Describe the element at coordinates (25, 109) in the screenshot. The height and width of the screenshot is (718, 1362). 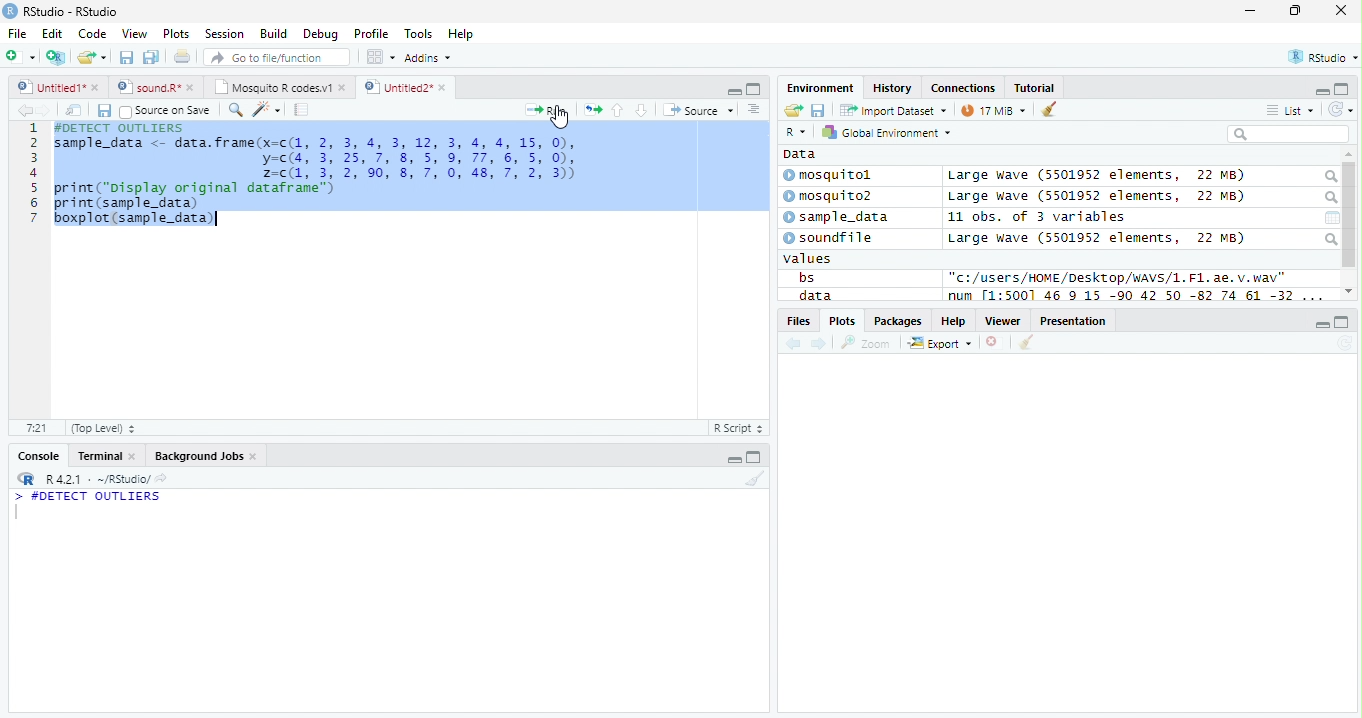
I see `Go backward` at that location.